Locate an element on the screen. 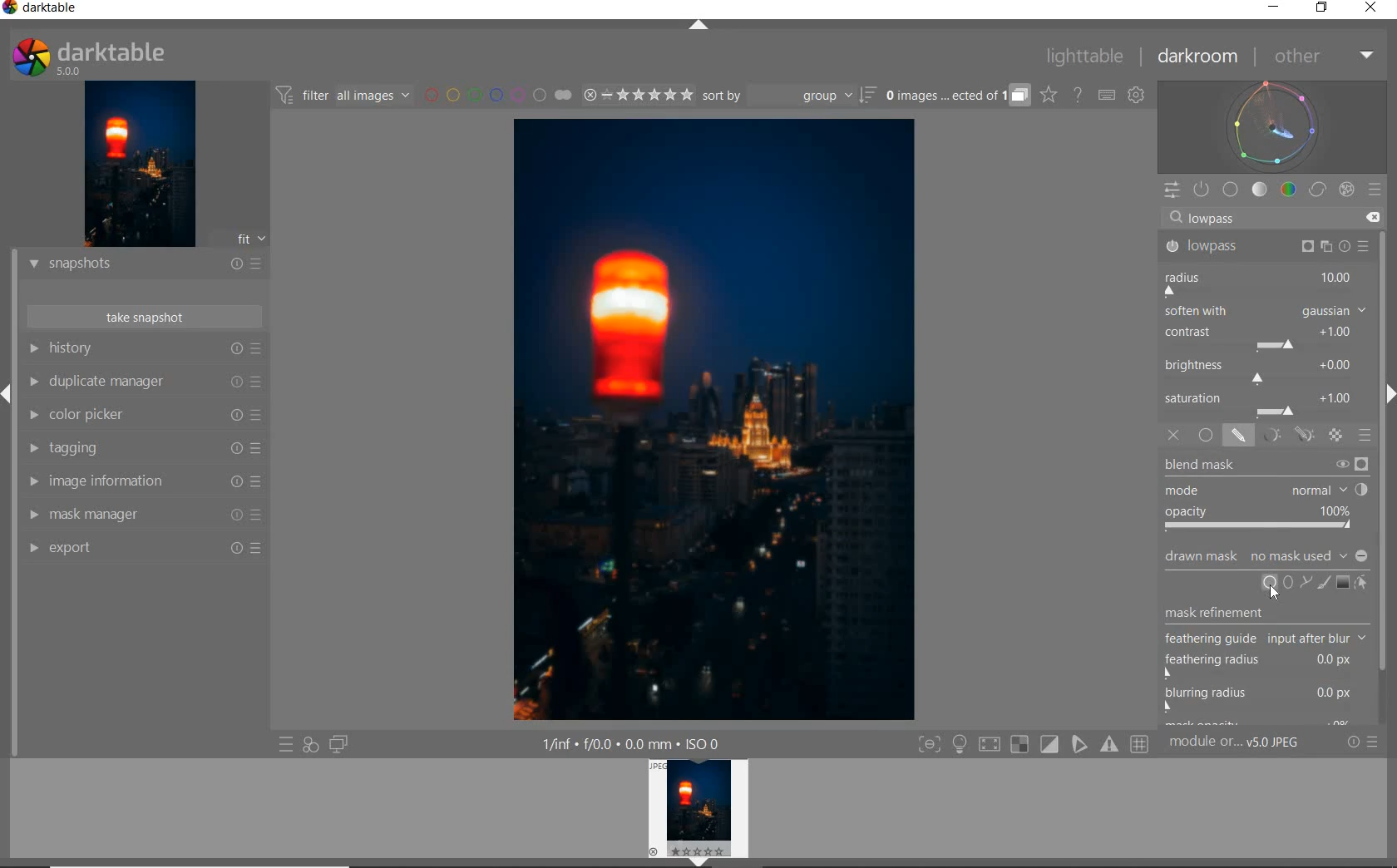 This screenshot has height=868, width=1397. SORT is located at coordinates (787, 97).